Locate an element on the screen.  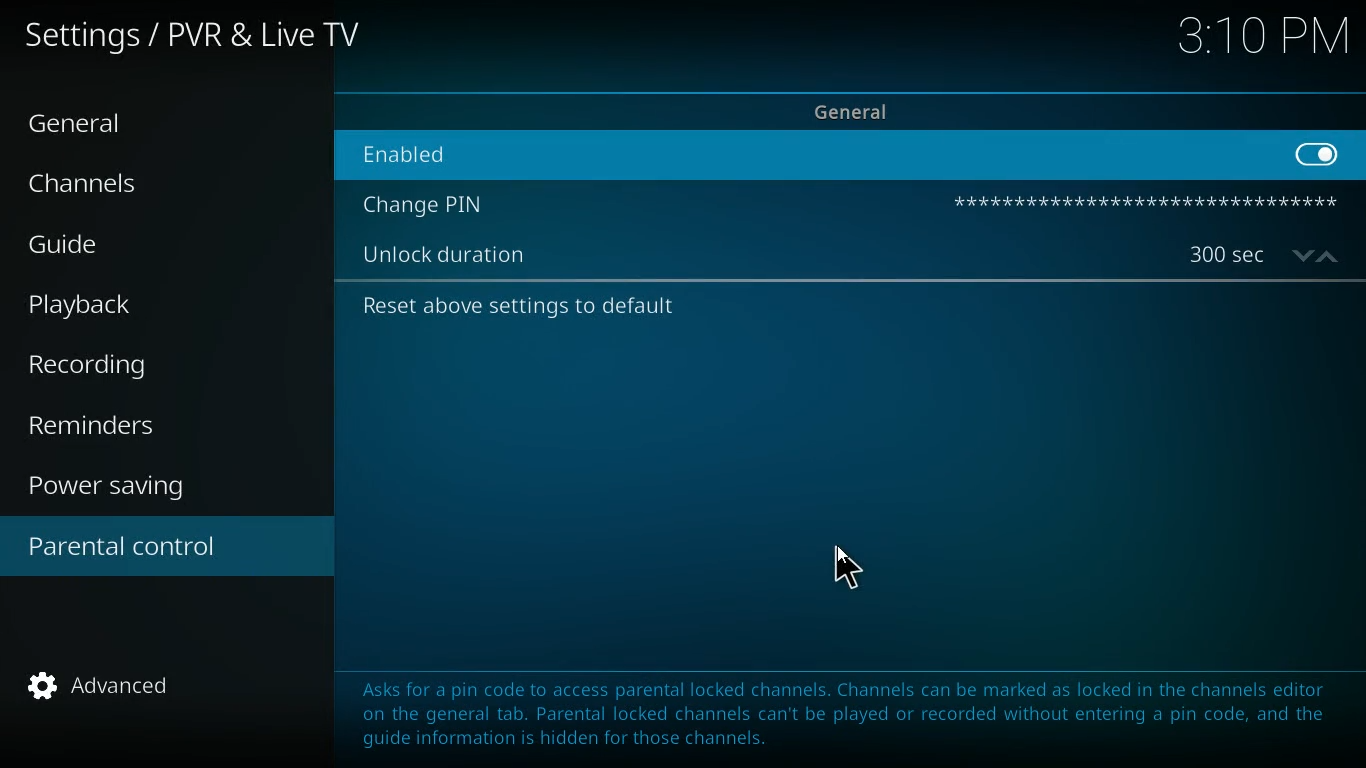
reset is located at coordinates (518, 305).